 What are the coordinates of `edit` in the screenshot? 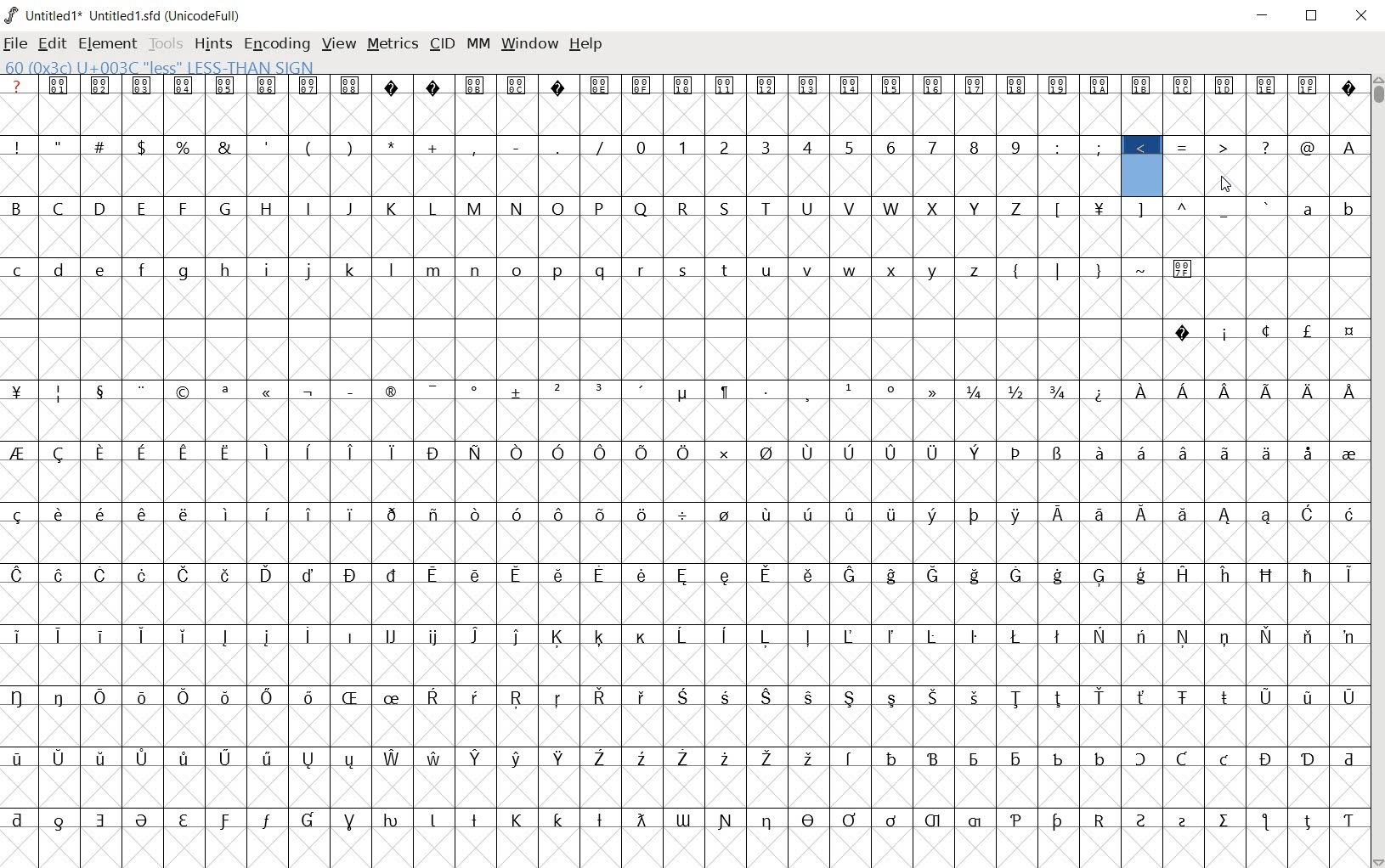 It's located at (50, 43).